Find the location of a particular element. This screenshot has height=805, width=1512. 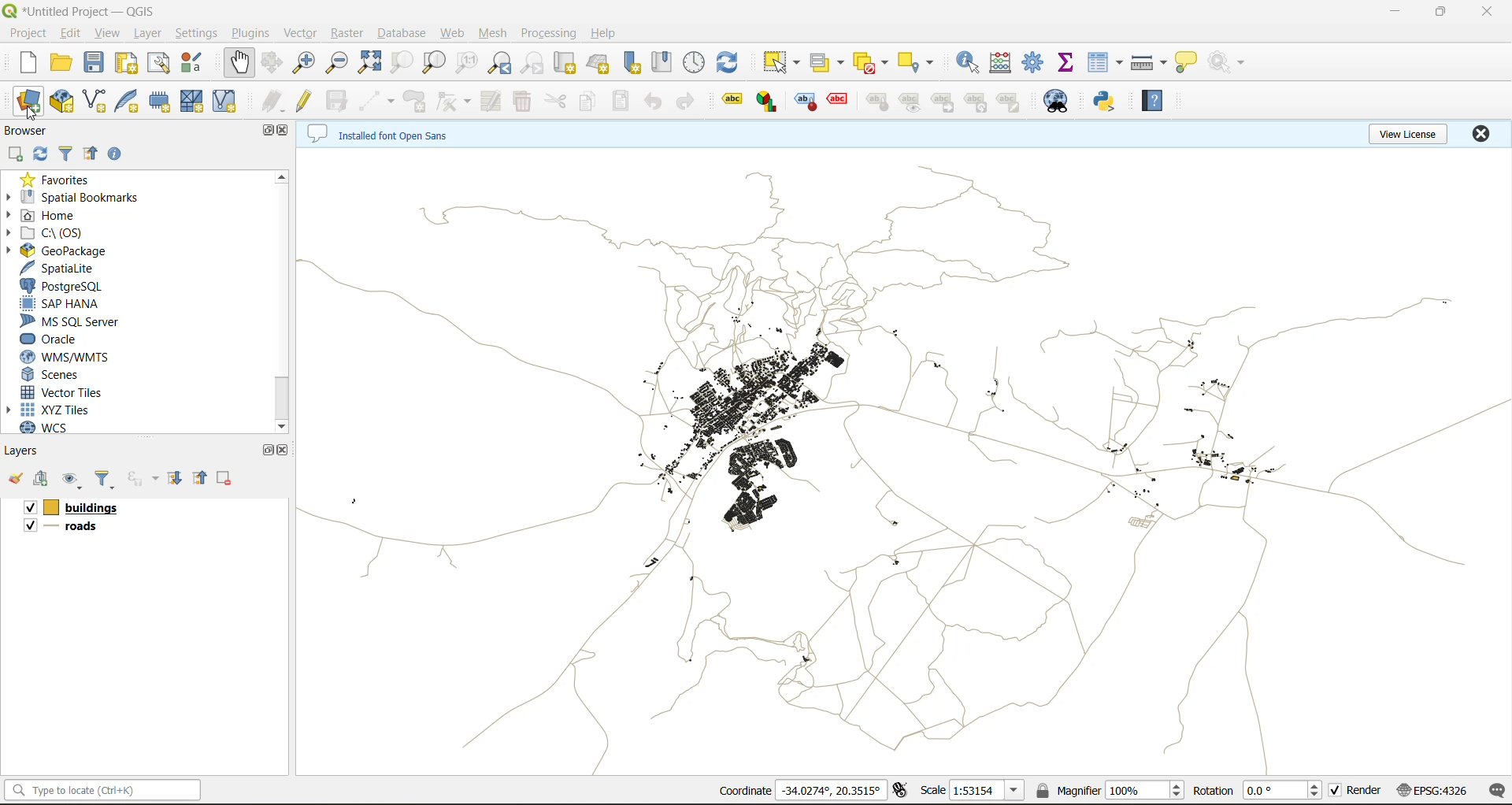

c\:os is located at coordinates (51, 233).